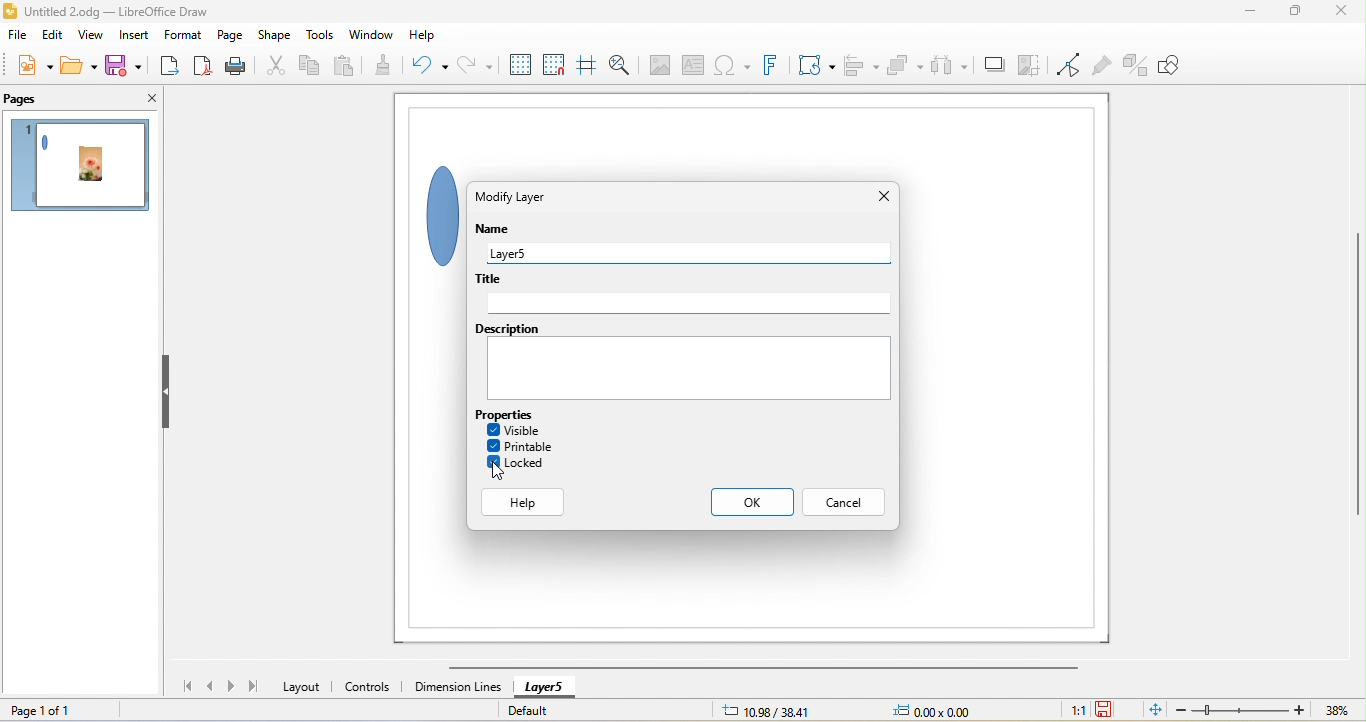 The height and width of the screenshot is (722, 1366). Describe the element at coordinates (457, 687) in the screenshot. I see `dimension lines` at that location.